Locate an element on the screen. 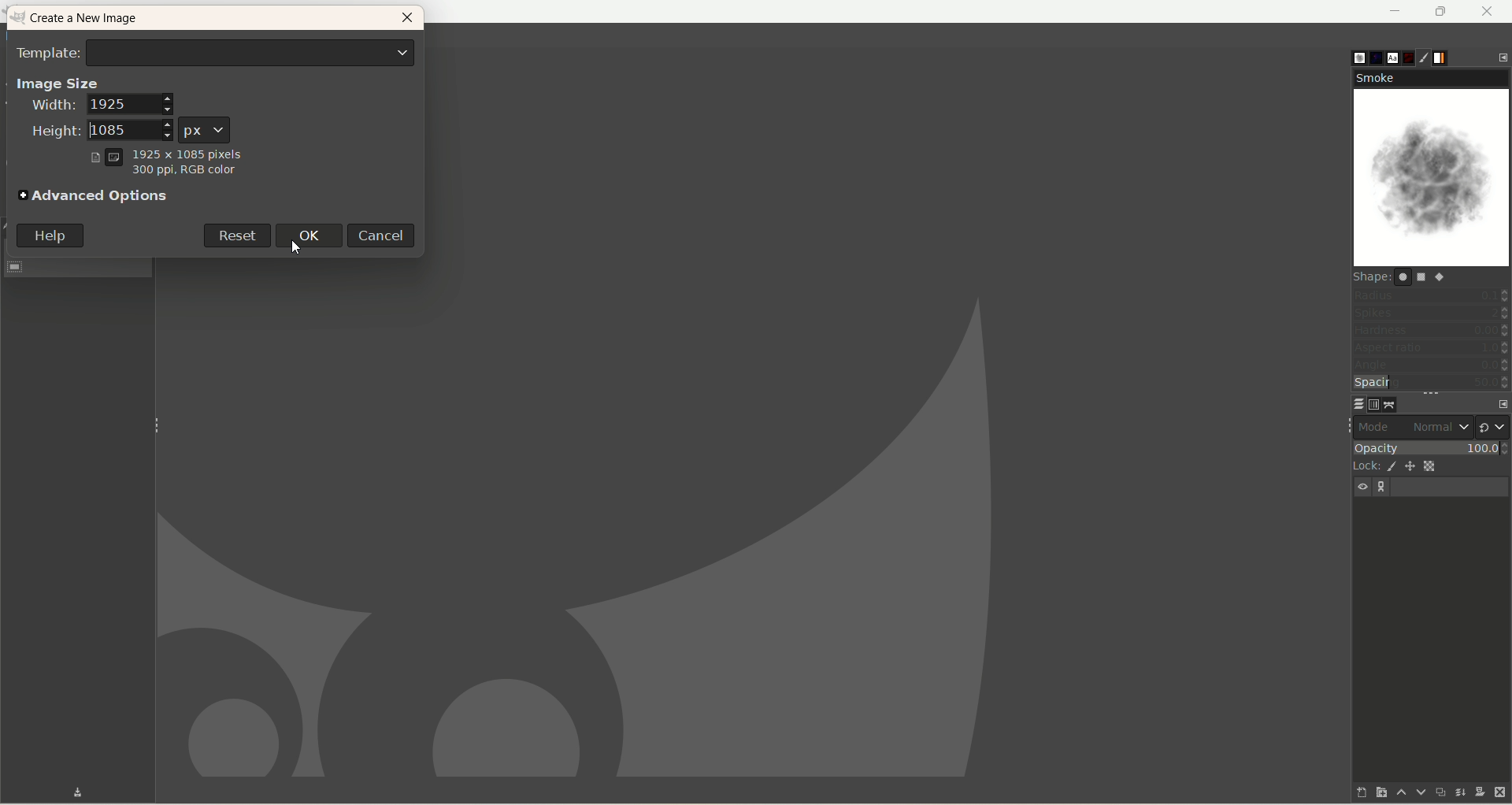 The height and width of the screenshot is (805, 1512). brush is located at coordinates (1348, 54).